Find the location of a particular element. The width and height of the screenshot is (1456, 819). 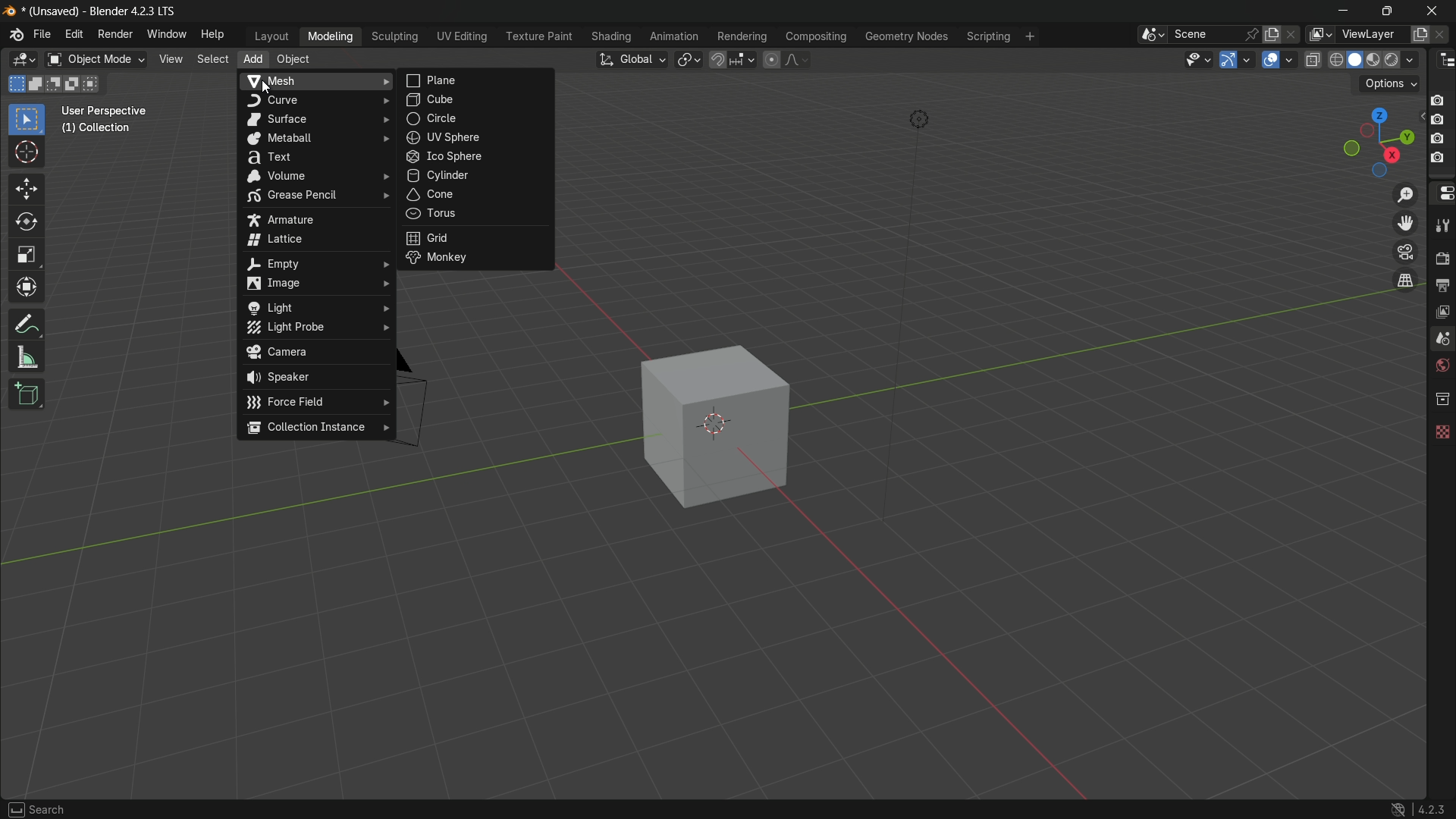

compositing menu is located at coordinates (814, 36).